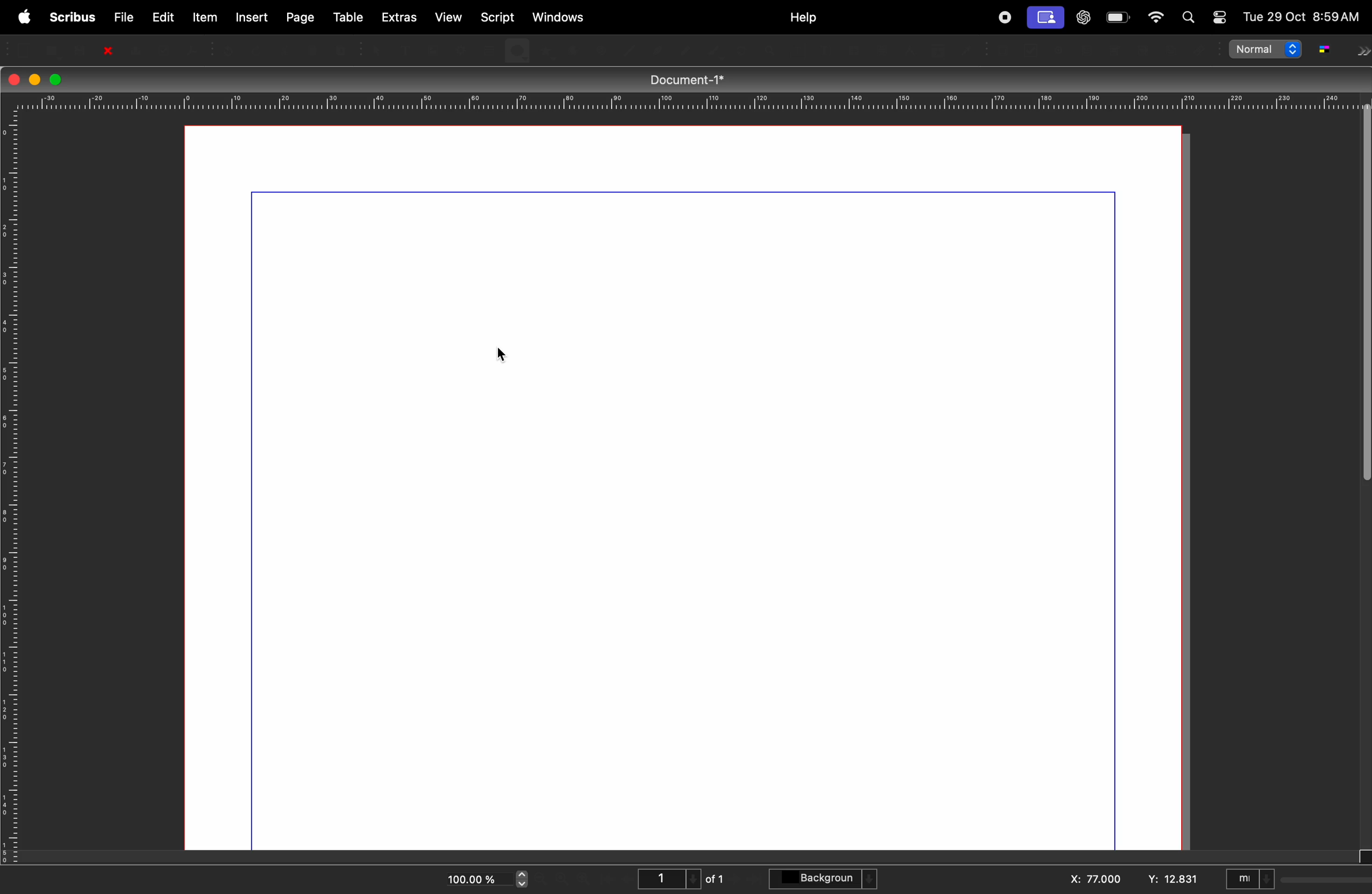  I want to click on y: 12.831, so click(1171, 878).